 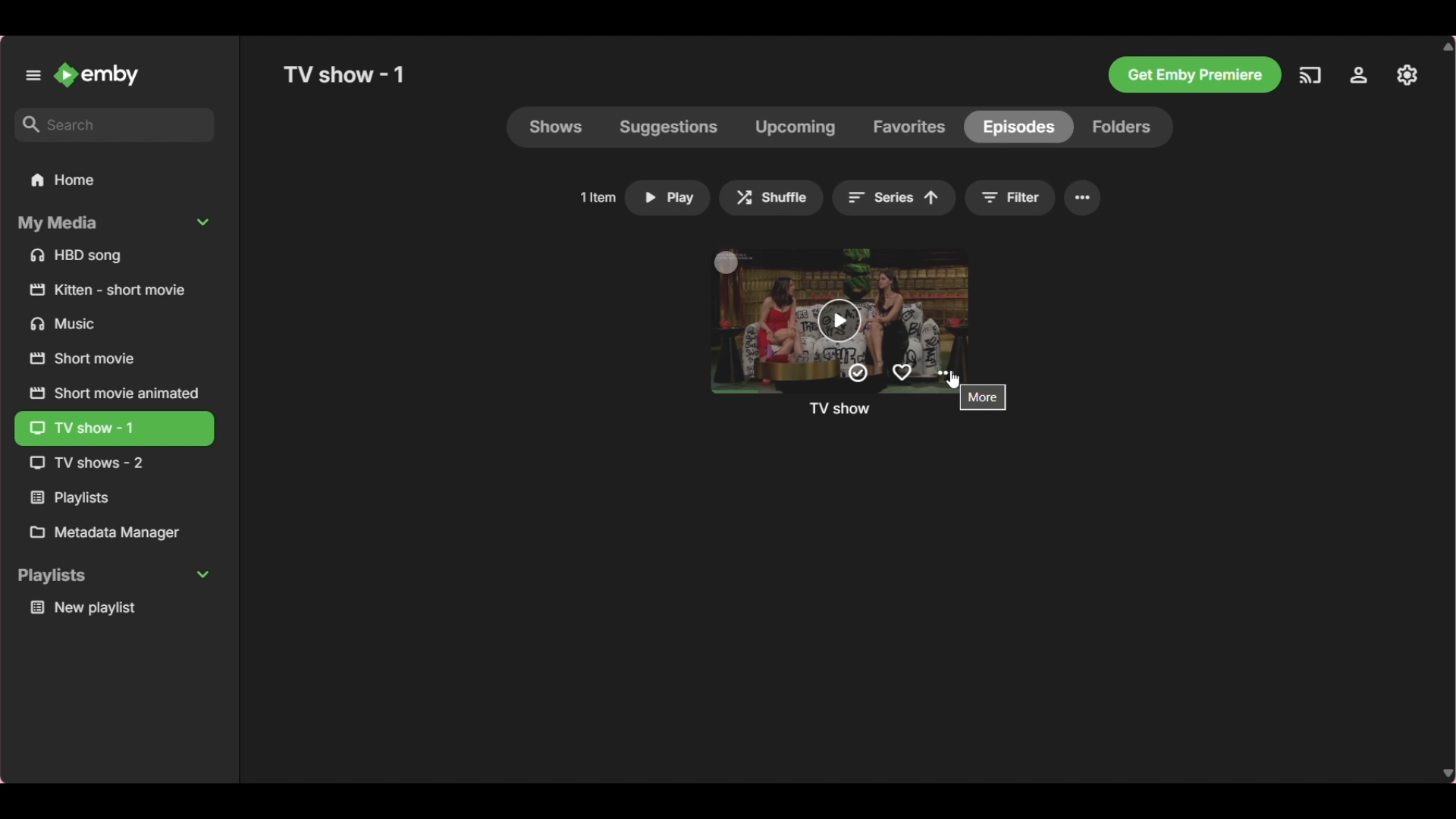 What do you see at coordinates (1359, 75) in the screenshot?
I see `Settings` at bounding box center [1359, 75].